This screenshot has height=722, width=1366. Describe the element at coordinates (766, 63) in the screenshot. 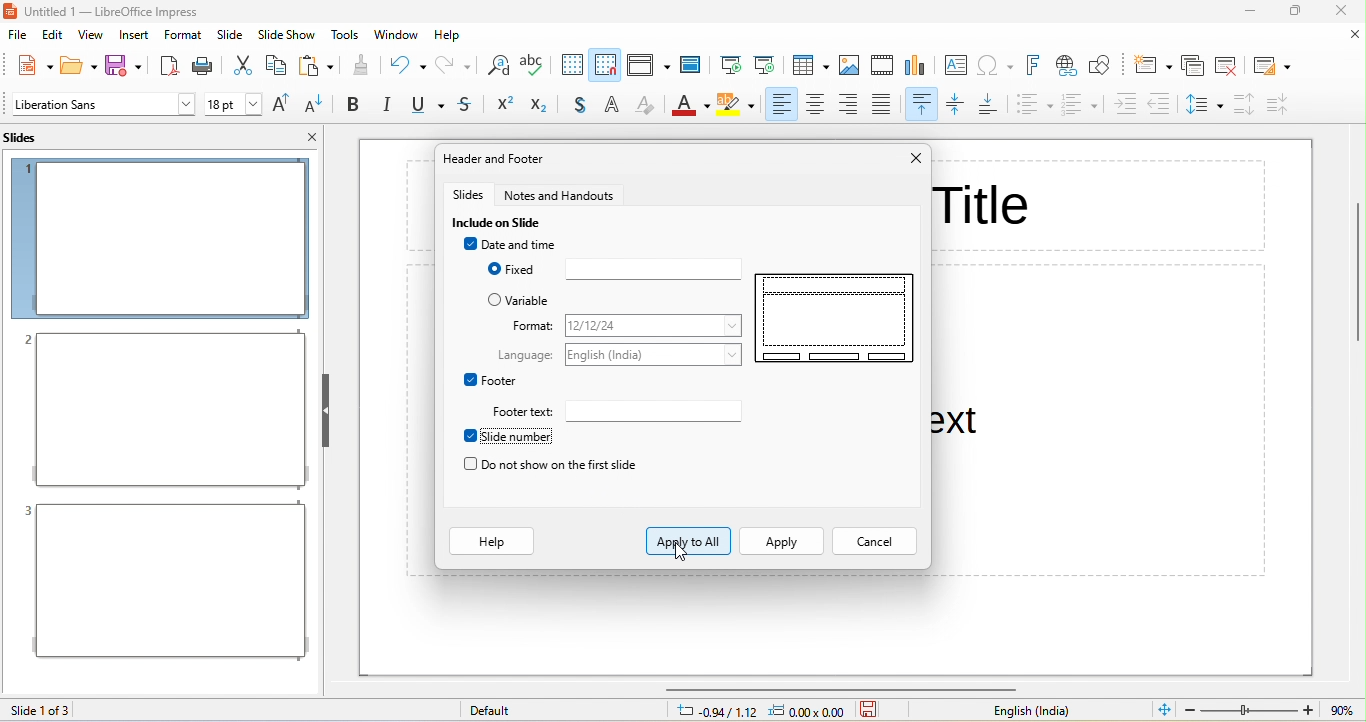

I see `current slide` at that location.